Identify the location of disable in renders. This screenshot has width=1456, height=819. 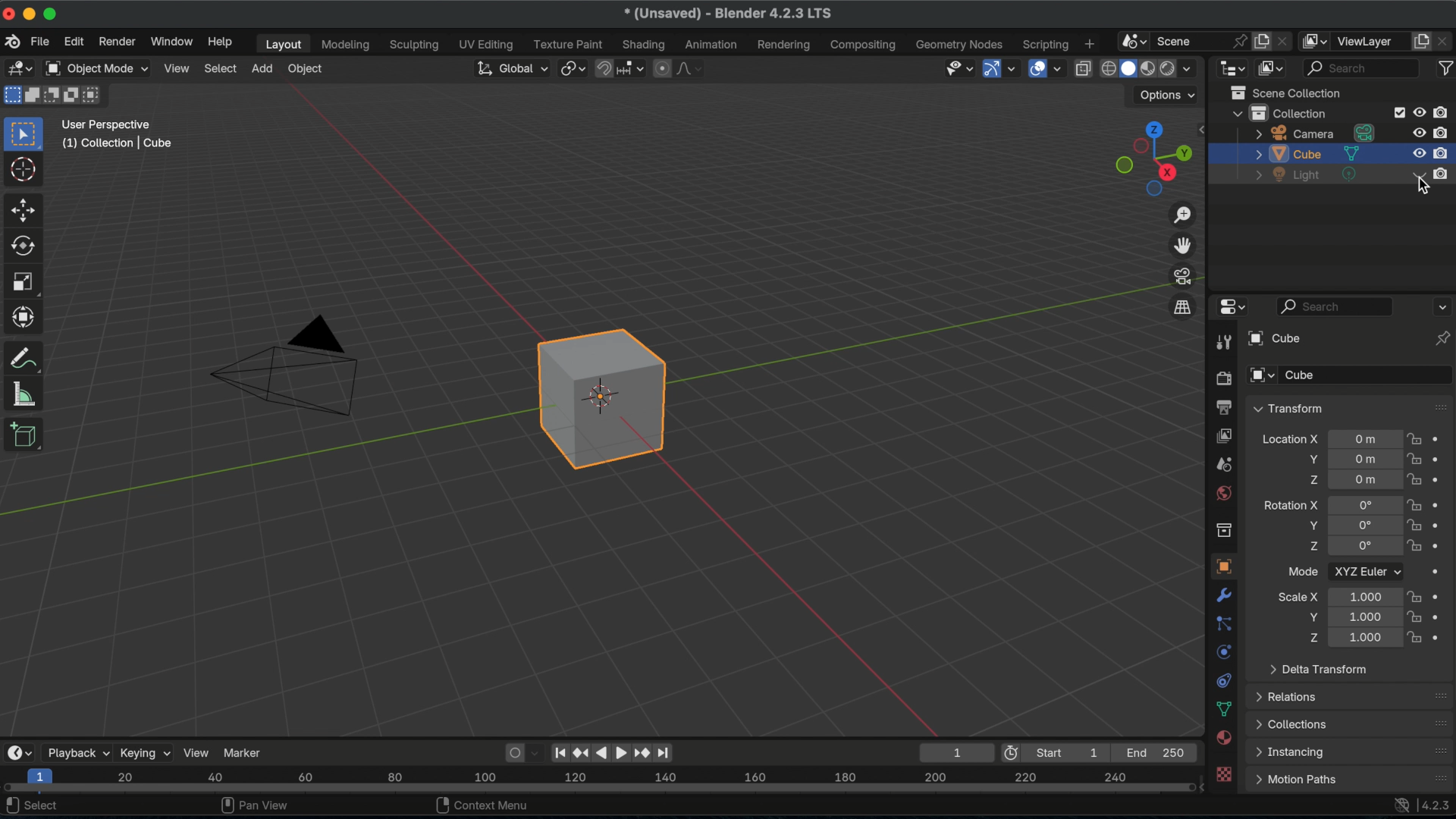
(1442, 152).